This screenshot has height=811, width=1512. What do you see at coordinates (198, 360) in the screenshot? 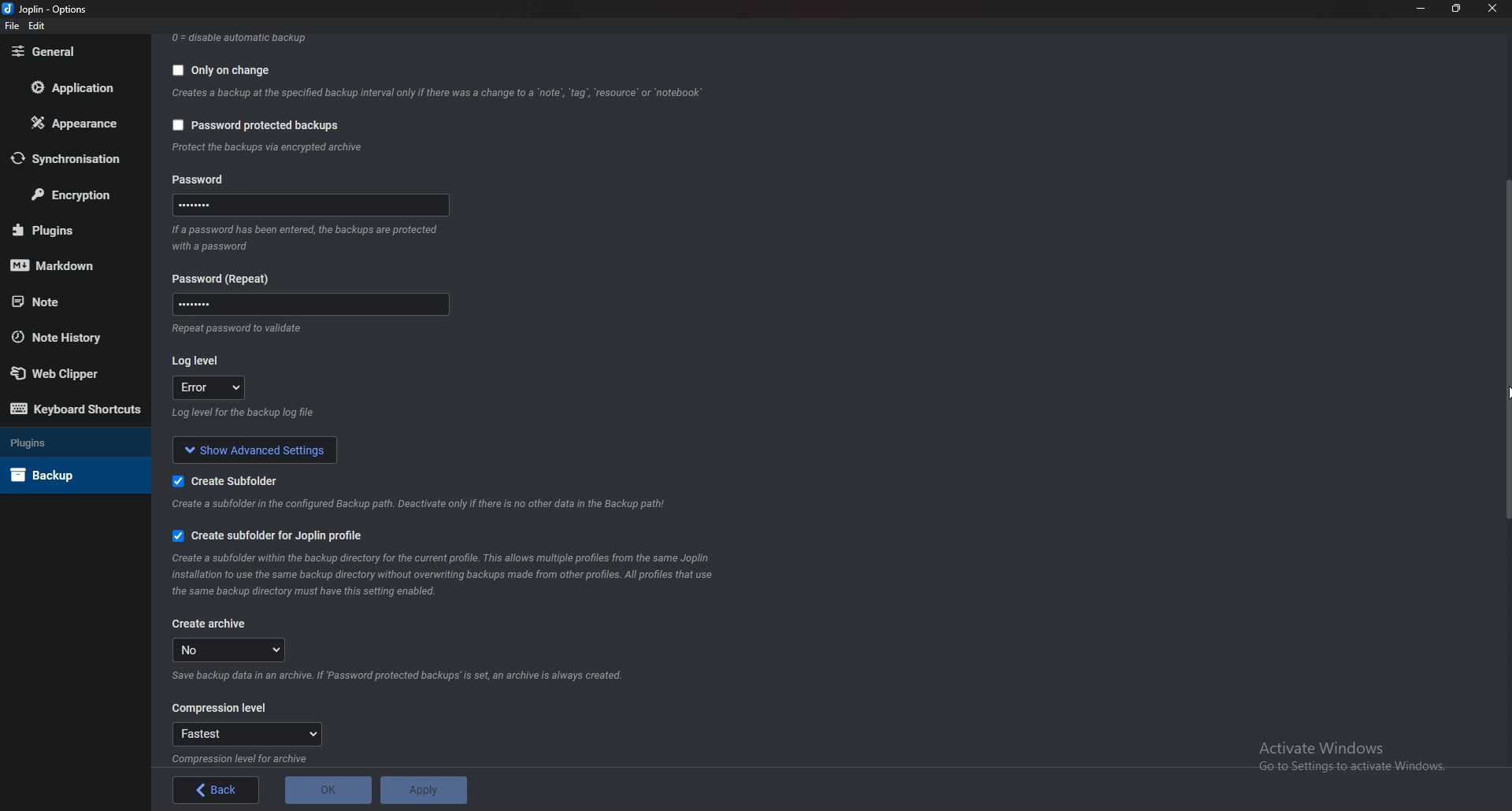
I see `Log level` at bounding box center [198, 360].